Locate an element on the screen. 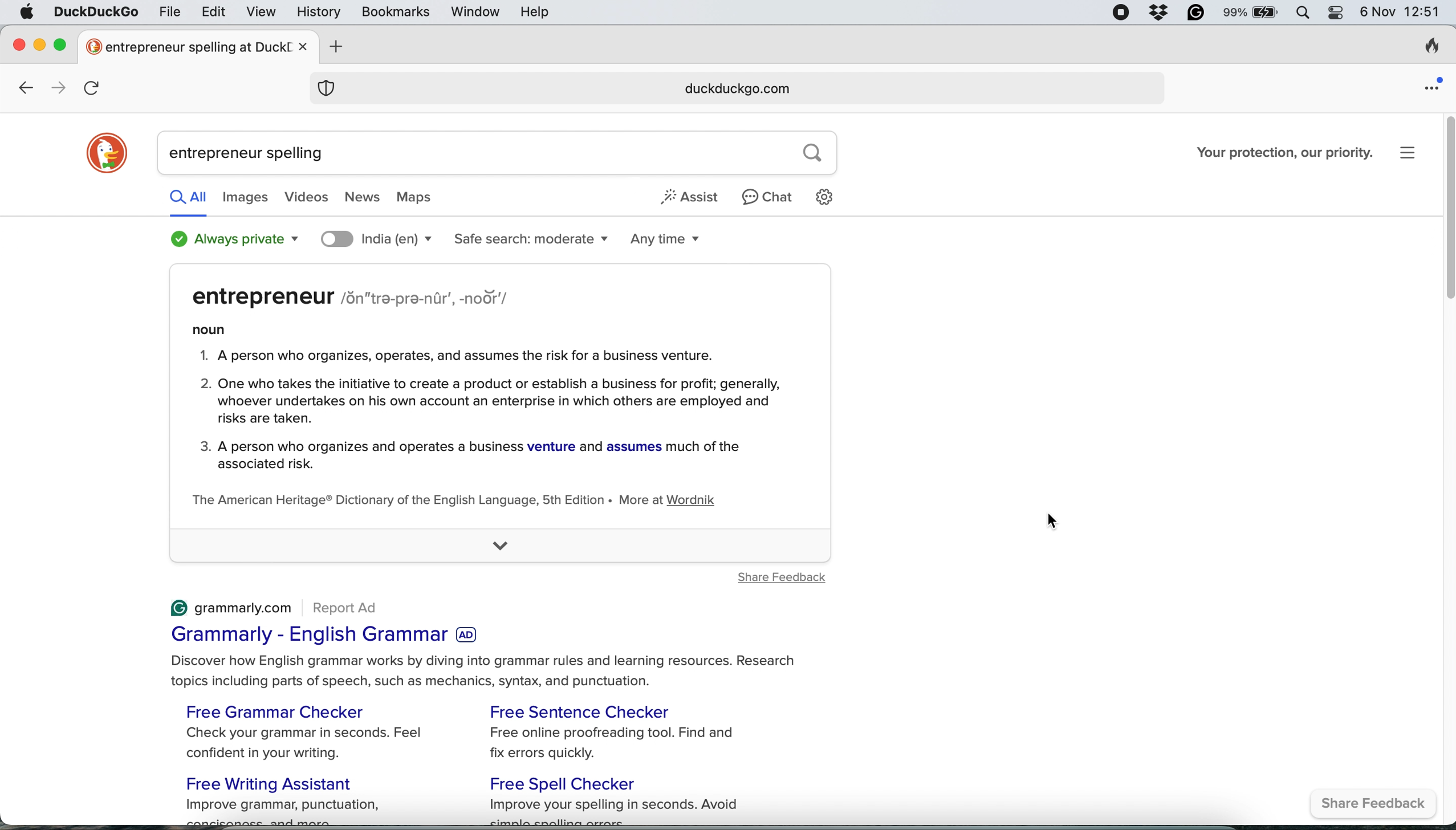 The height and width of the screenshot is (830, 1456). minimise is located at coordinates (41, 44).